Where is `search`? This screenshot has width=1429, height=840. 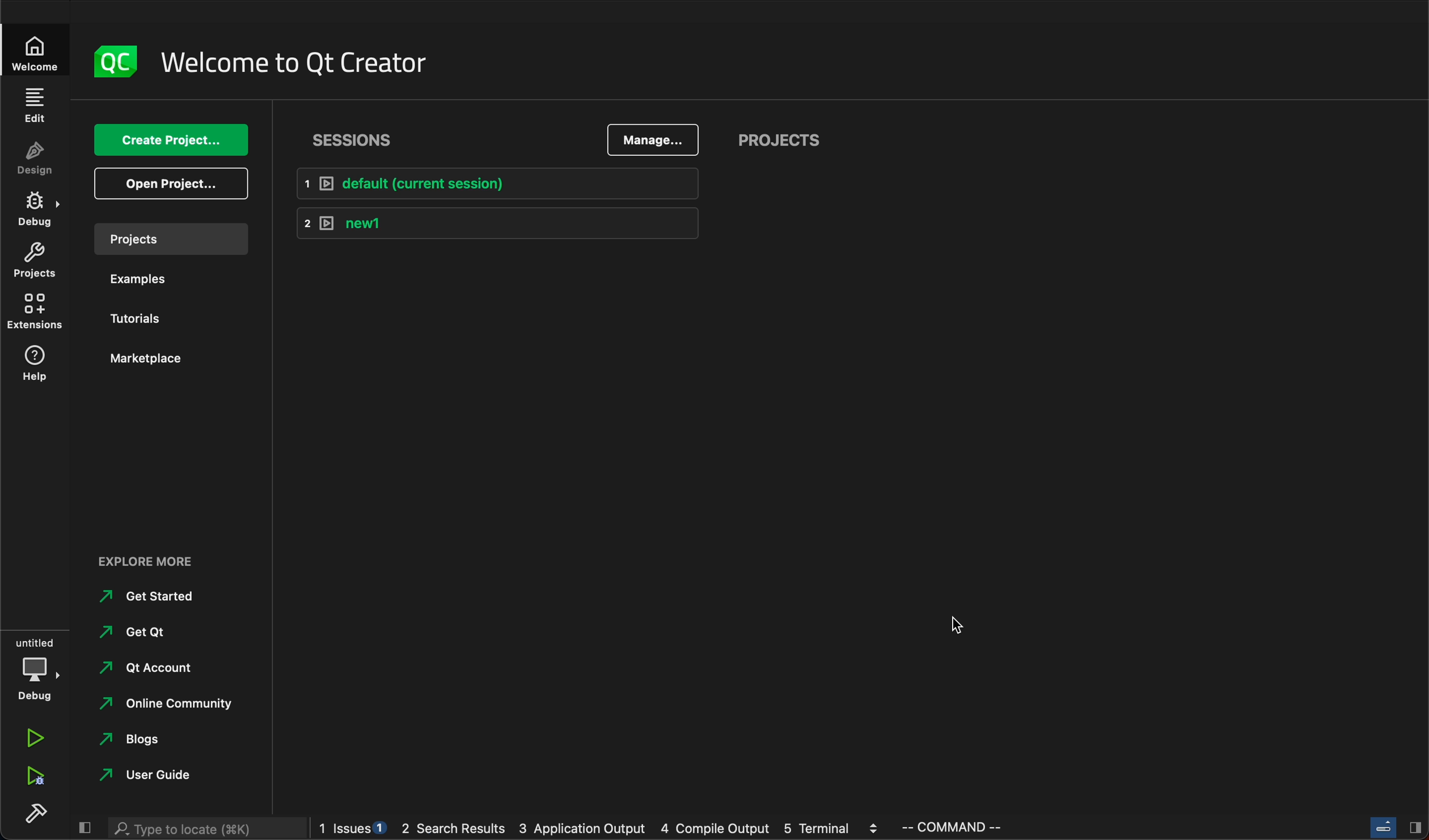
search is located at coordinates (209, 829).